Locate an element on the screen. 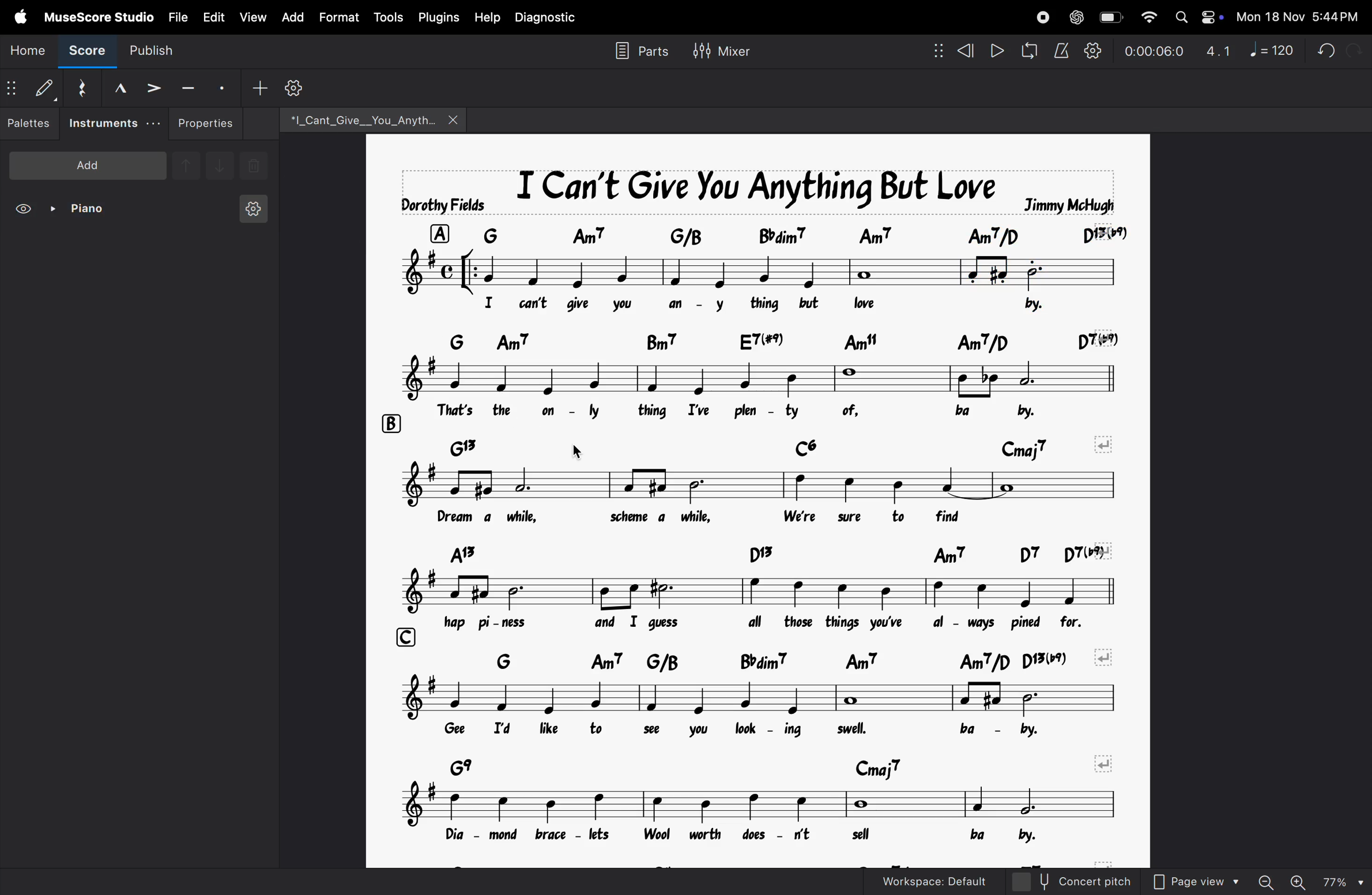 This screenshot has height=895, width=1372. palettes is located at coordinates (32, 124).